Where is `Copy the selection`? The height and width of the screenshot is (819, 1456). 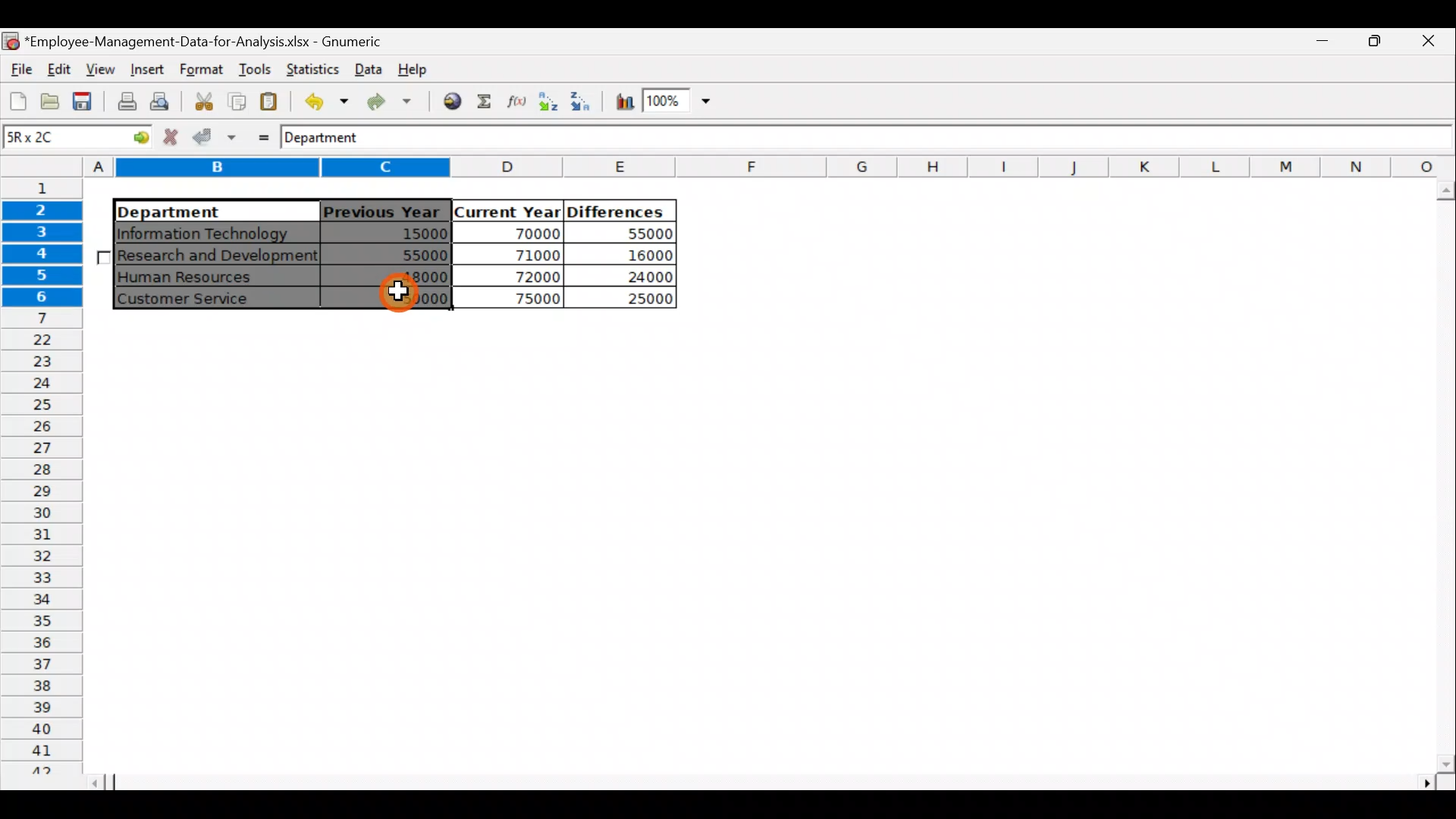
Copy the selection is located at coordinates (236, 102).